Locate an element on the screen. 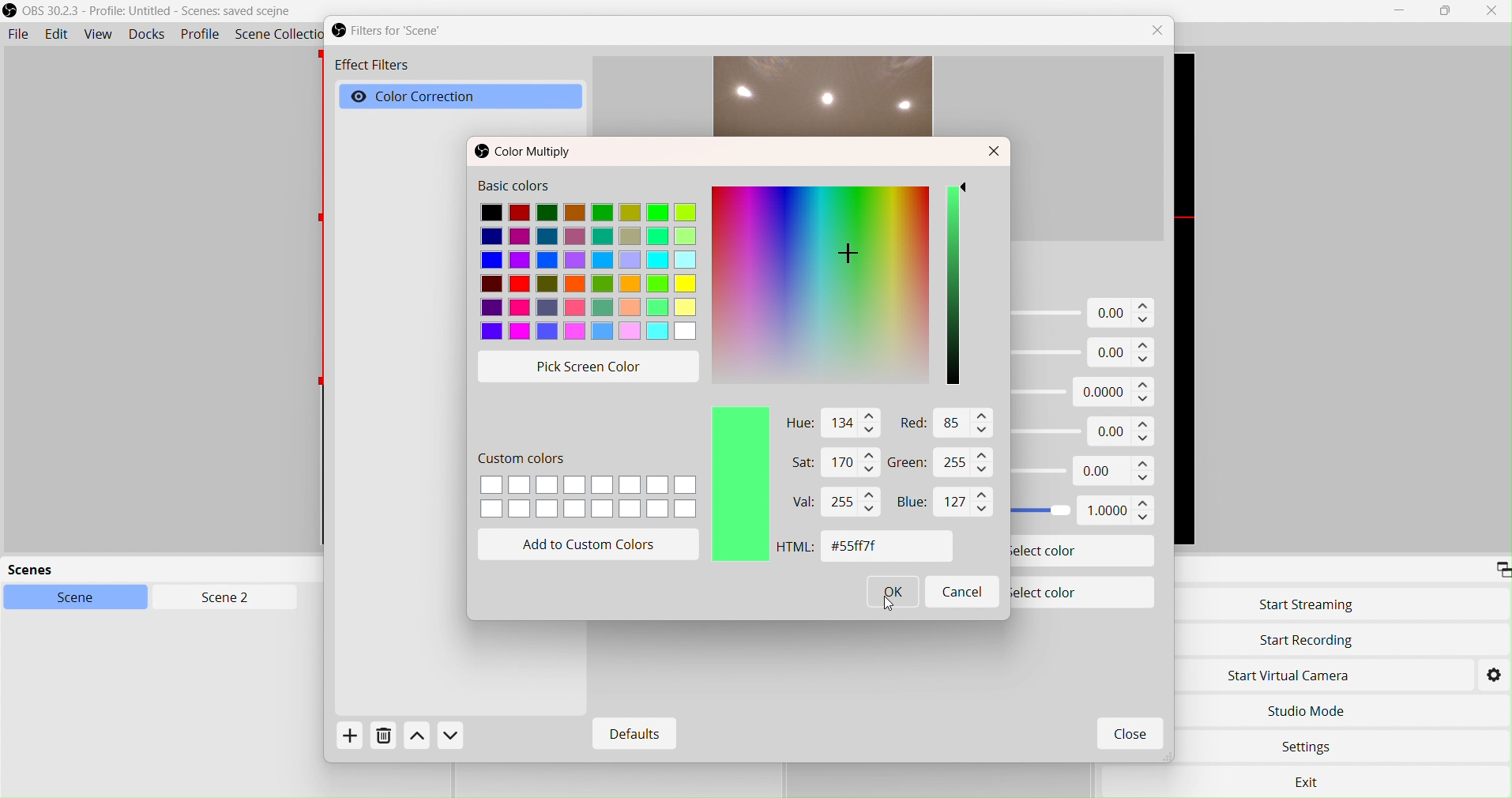 This screenshot has height=798, width=1512. Blue: 127  is located at coordinates (940, 503).